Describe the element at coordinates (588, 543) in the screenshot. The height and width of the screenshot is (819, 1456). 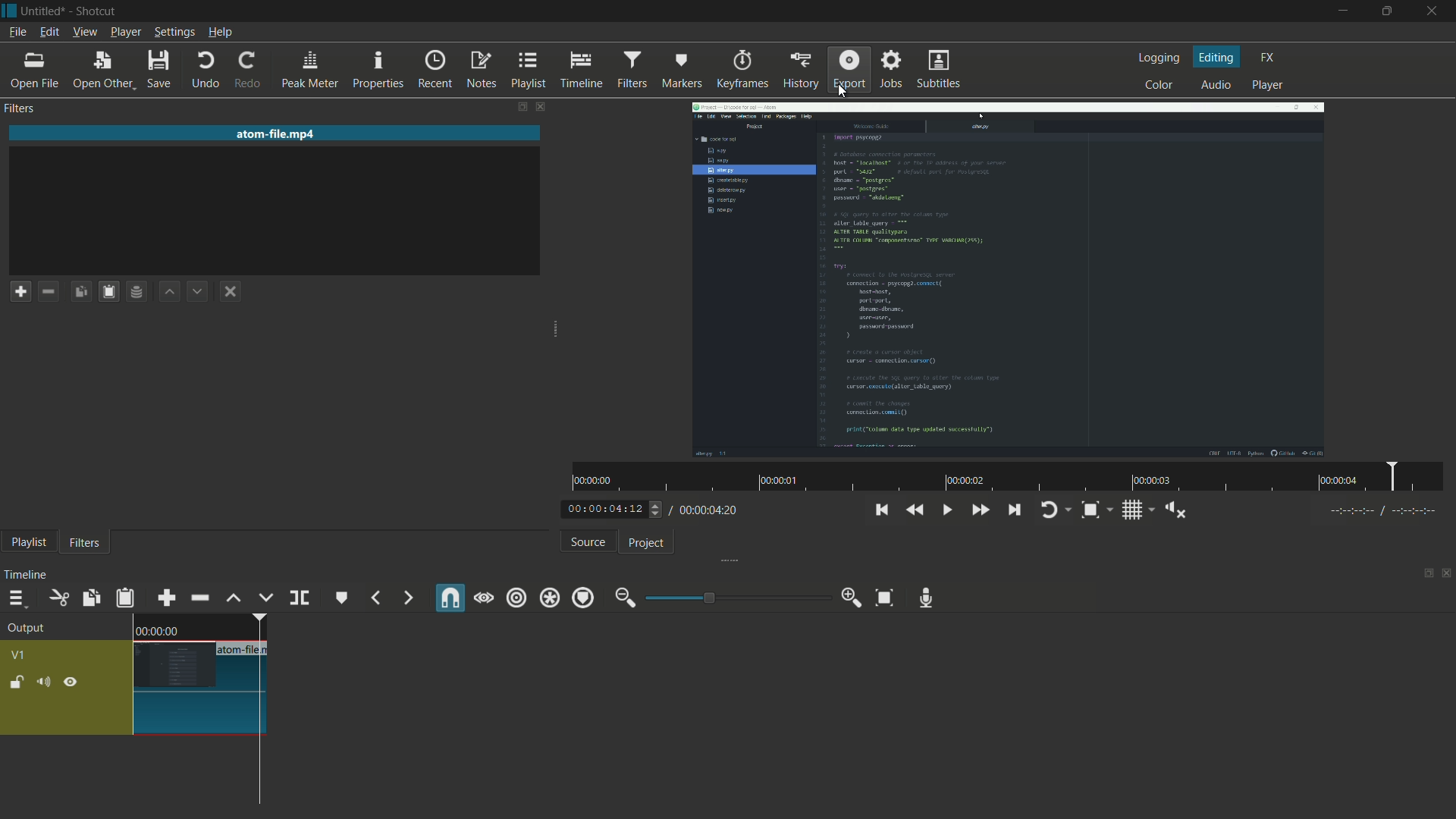
I see `source` at that location.